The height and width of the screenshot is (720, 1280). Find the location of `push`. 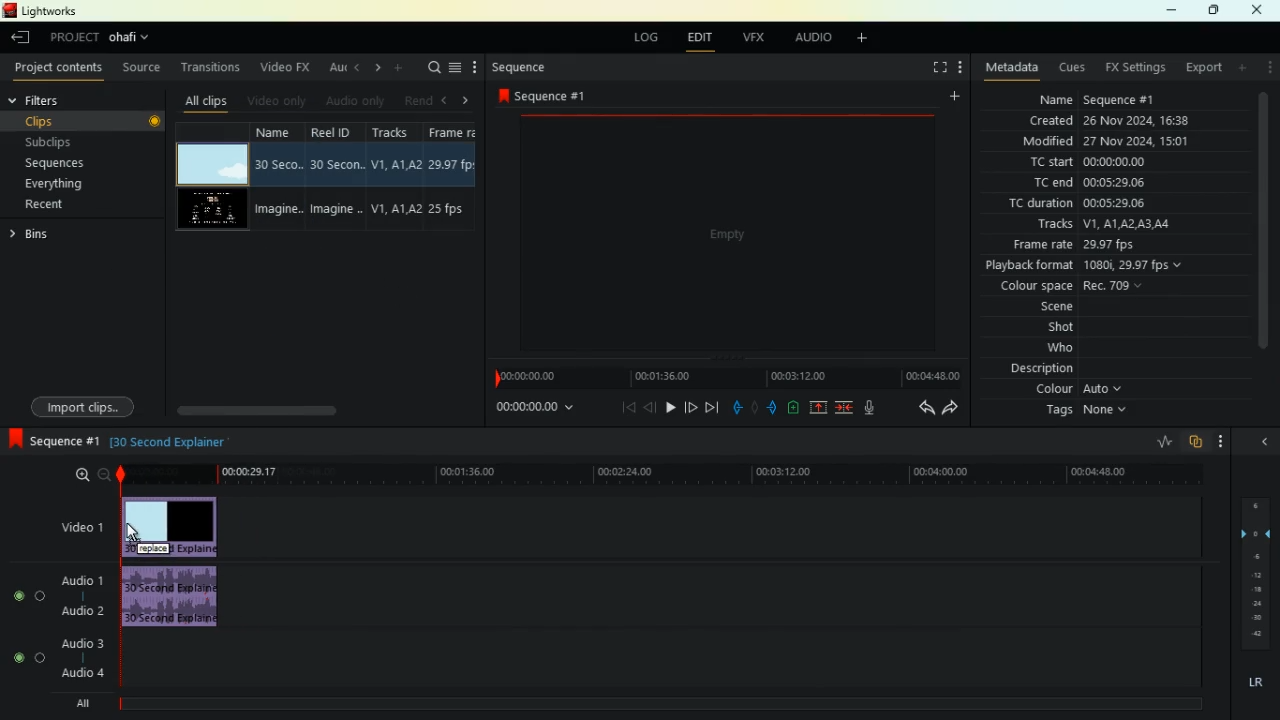

push is located at coordinates (773, 407).